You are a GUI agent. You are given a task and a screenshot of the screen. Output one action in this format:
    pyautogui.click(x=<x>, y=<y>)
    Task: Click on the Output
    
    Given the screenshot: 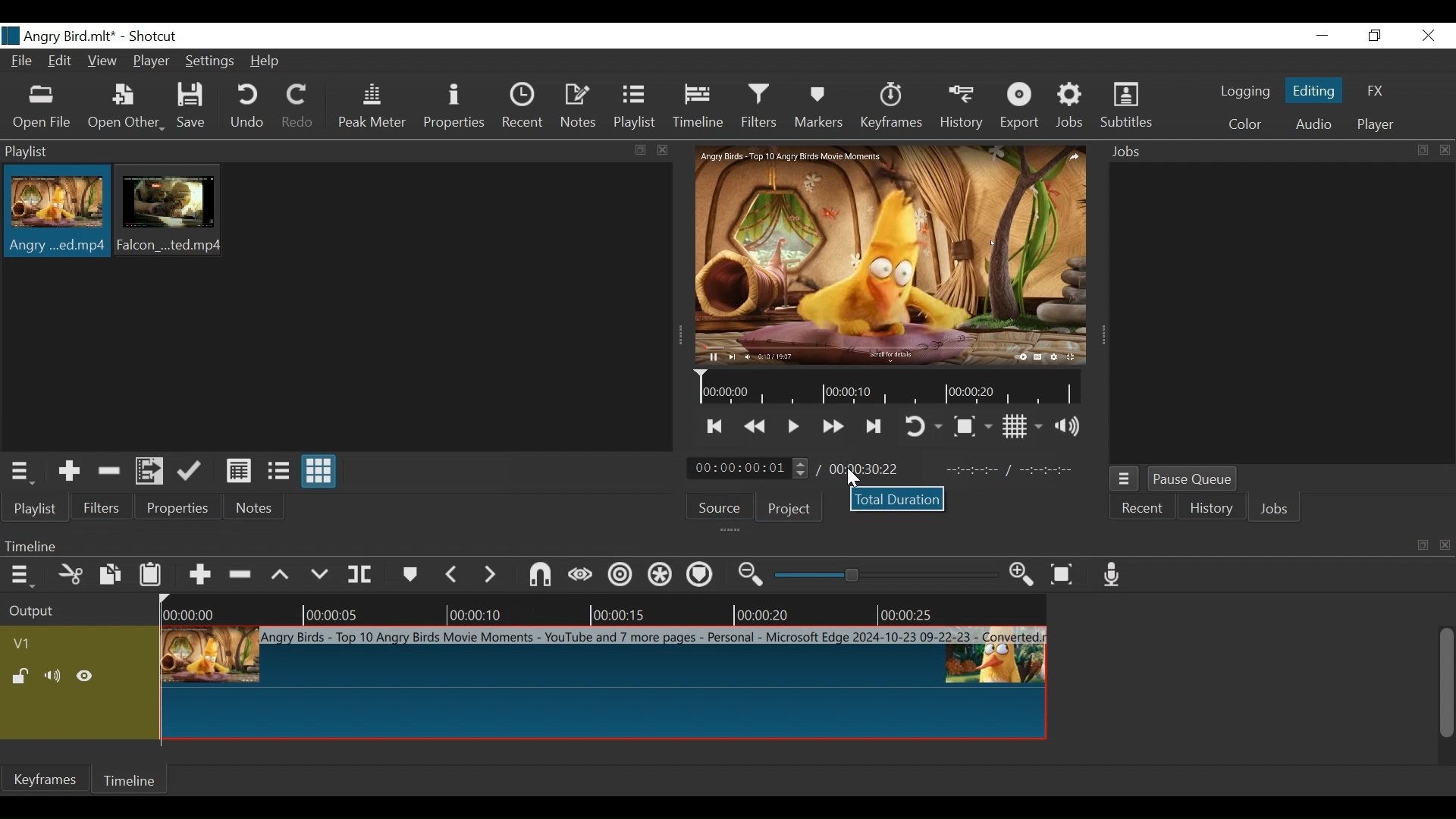 What is the action you would take?
    pyautogui.click(x=44, y=611)
    